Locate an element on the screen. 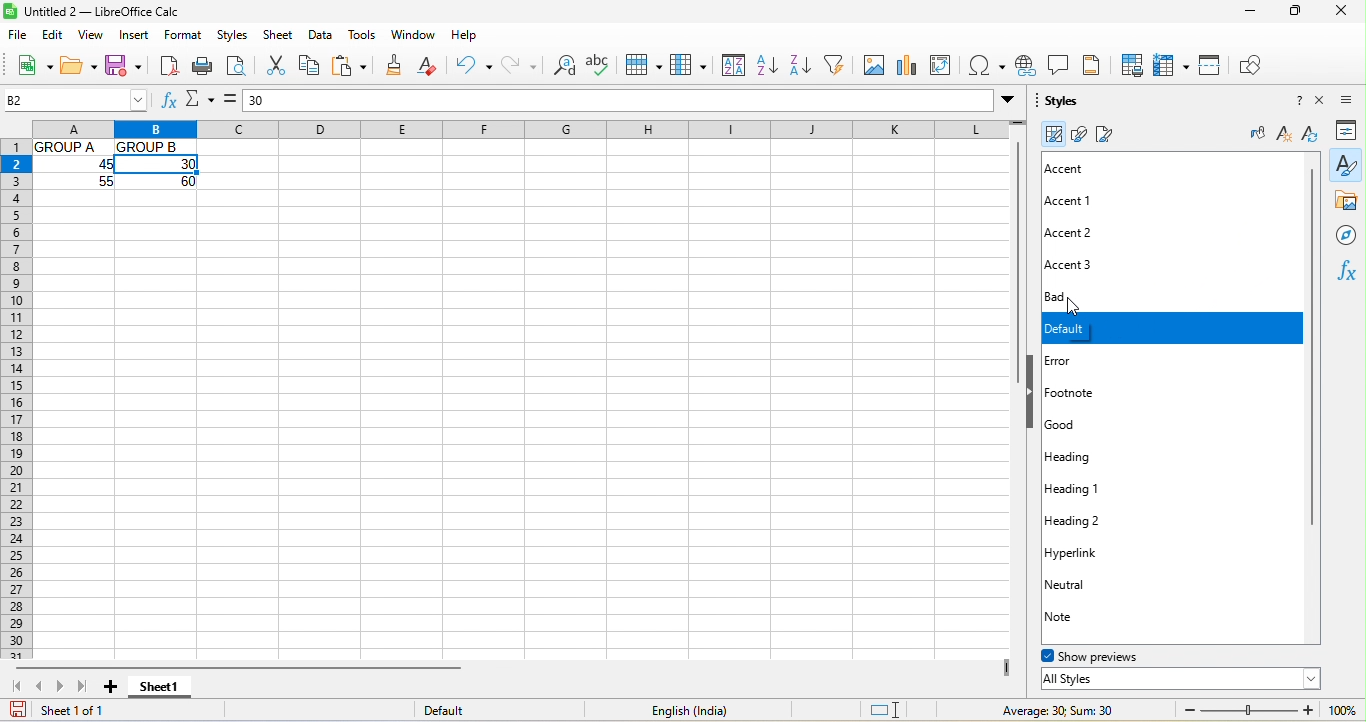 The width and height of the screenshot is (1366, 722). print area is located at coordinates (1135, 64).